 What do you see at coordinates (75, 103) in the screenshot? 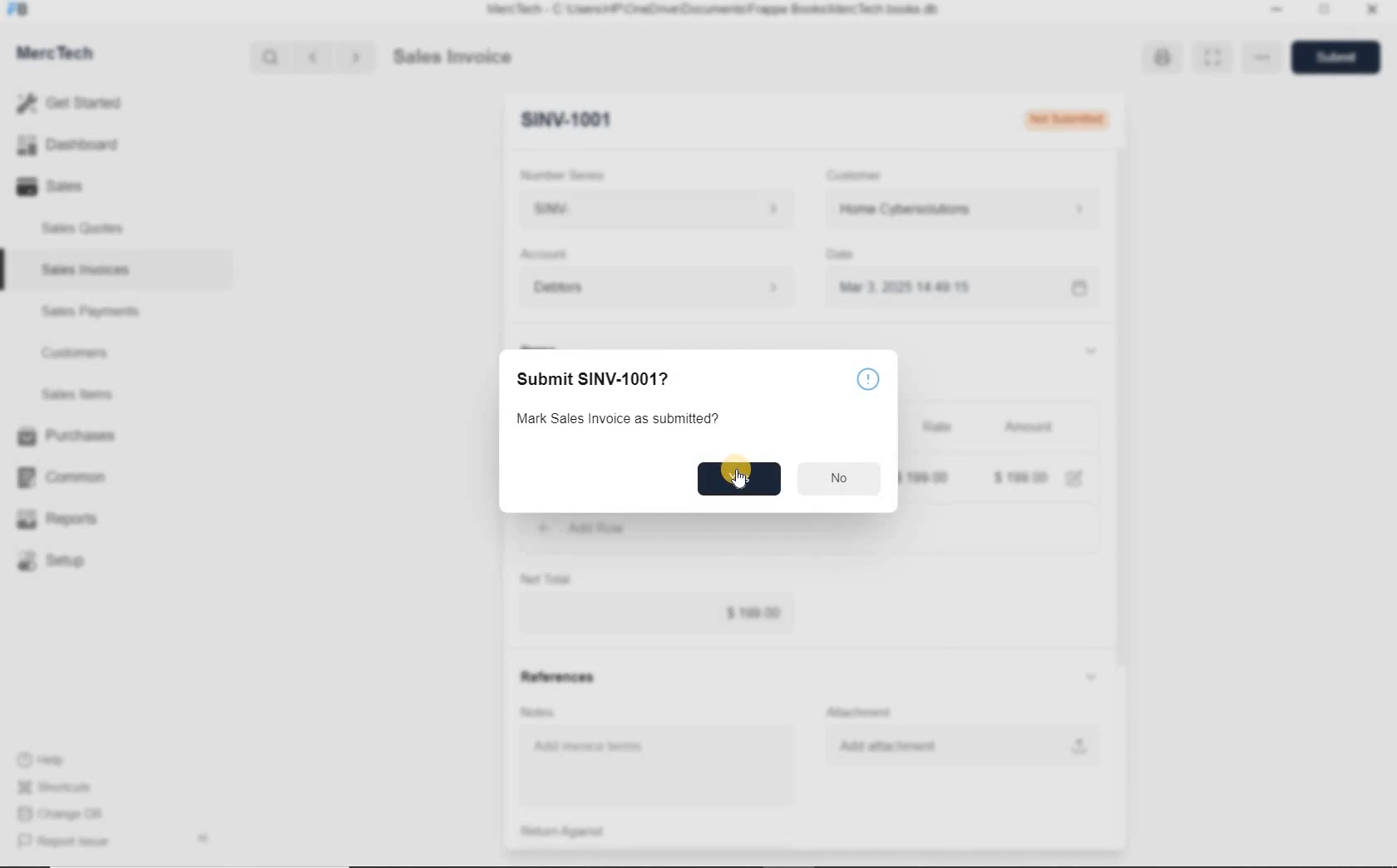
I see `Get Started` at bounding box center [75, 103].